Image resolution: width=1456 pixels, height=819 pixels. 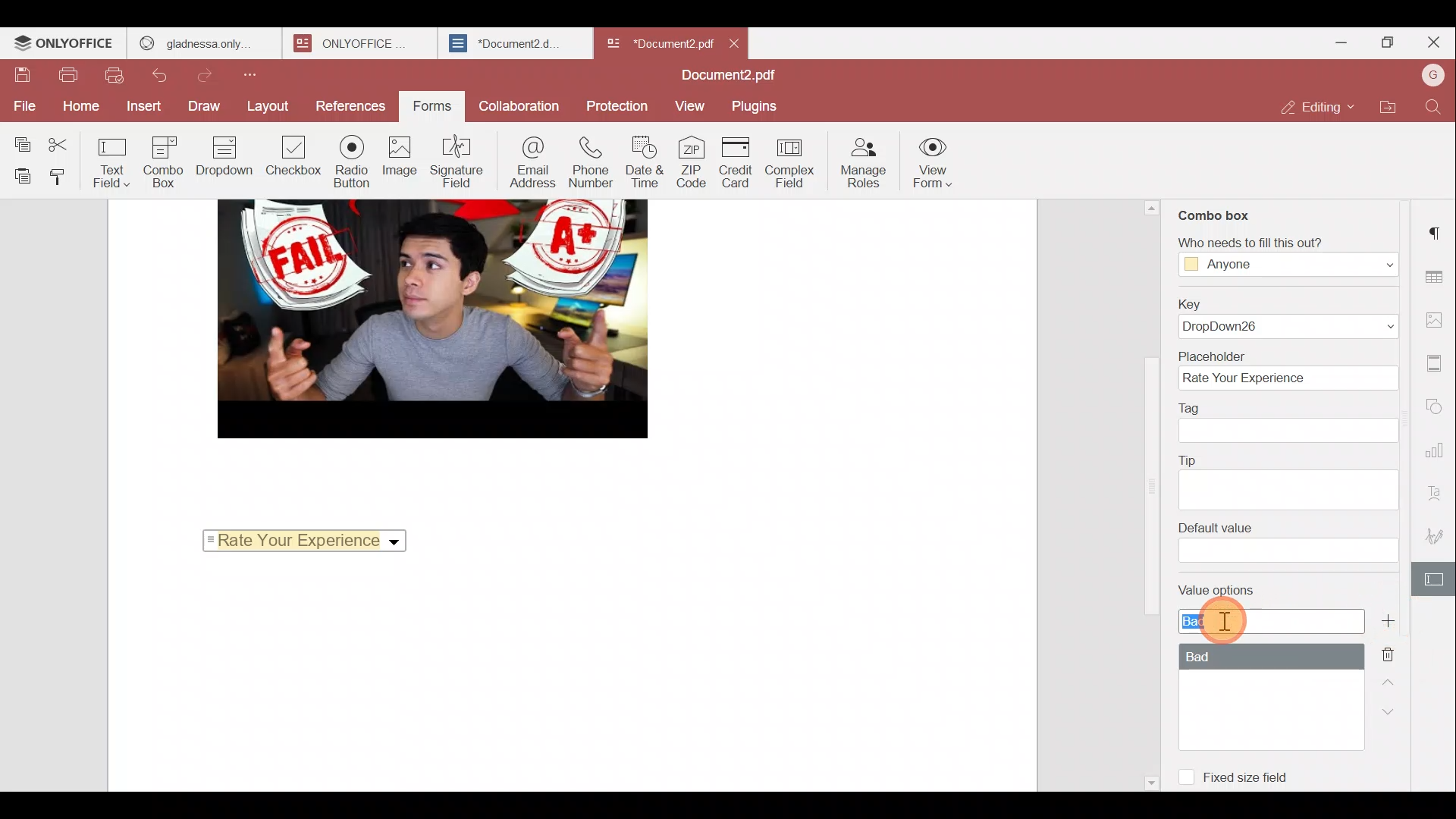 What do you see at coordinates (728, 75) in the screenshot?
I see `Document2.pdf` at bounding box center [728, 75].